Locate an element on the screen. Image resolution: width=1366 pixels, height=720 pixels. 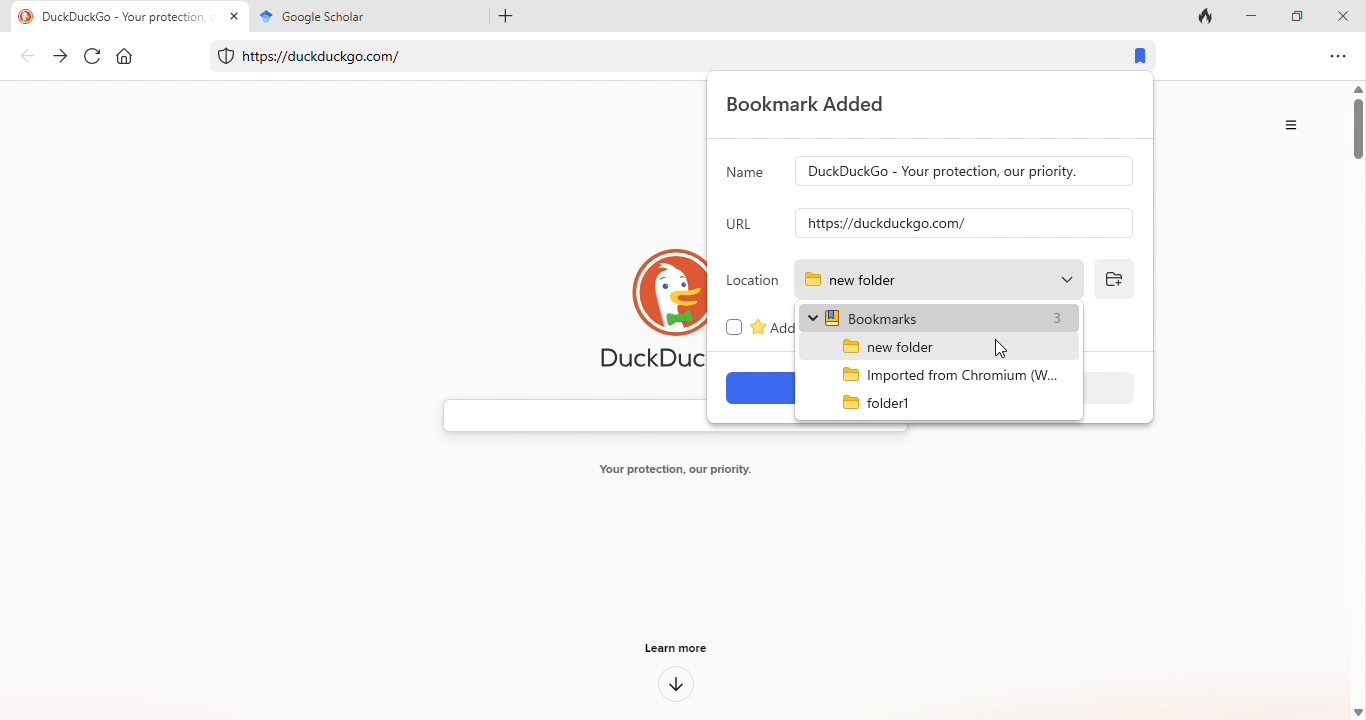
home is located at coordinates (134, 58).